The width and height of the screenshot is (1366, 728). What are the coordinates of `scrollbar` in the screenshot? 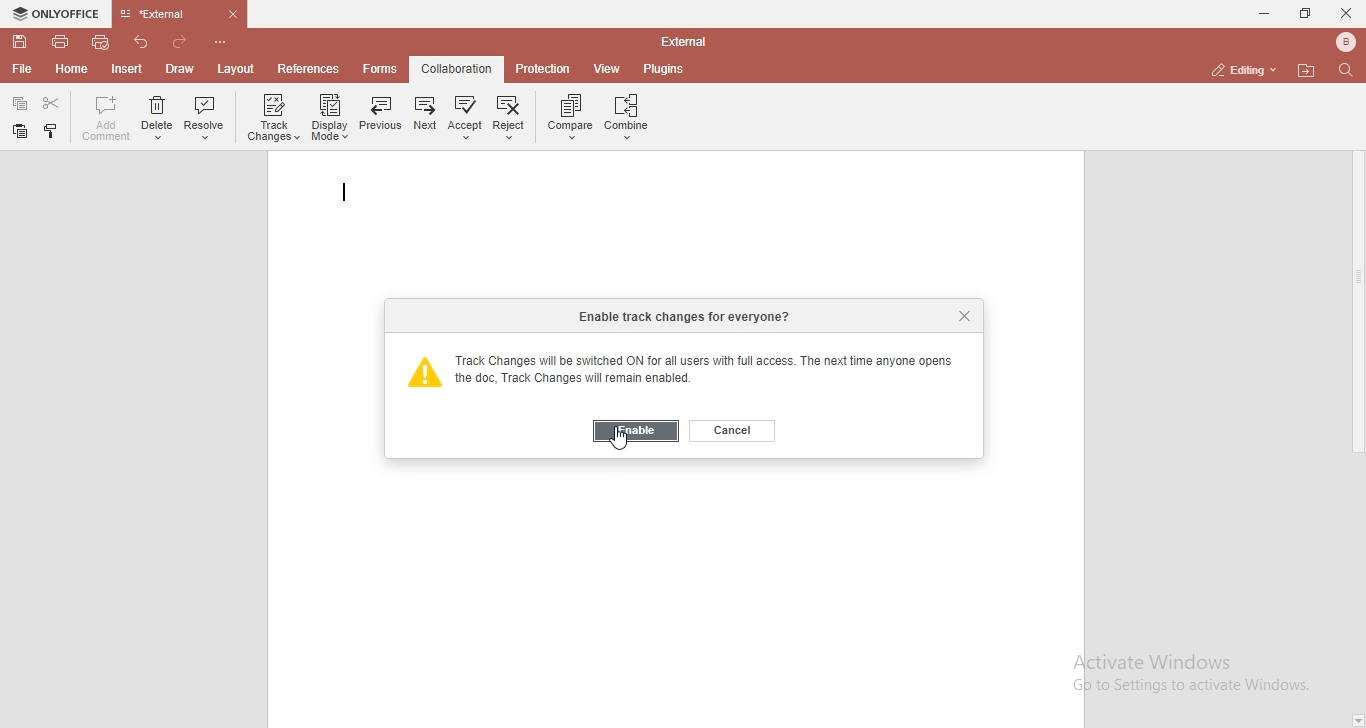 It's located at (1357, 278).